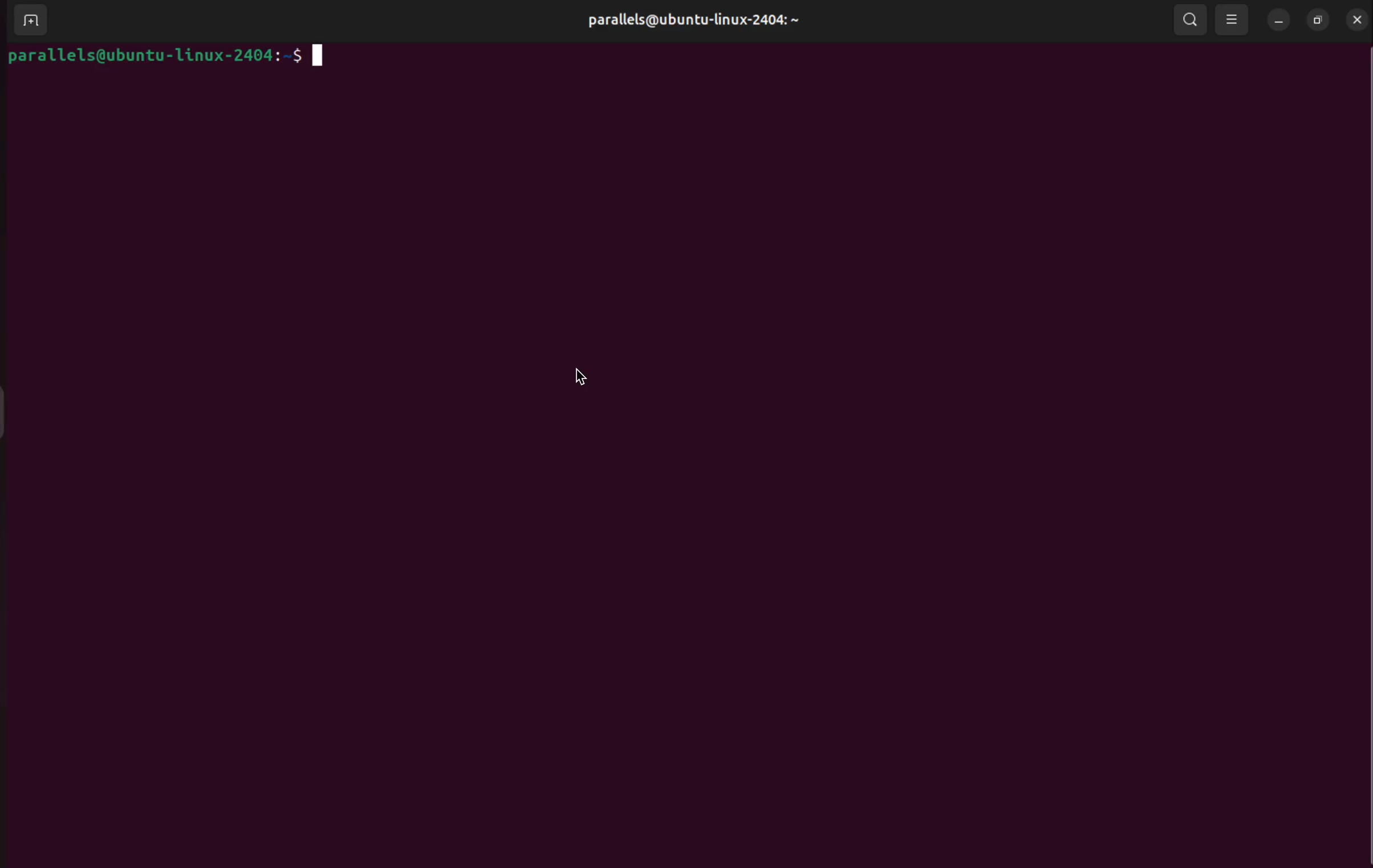 Image resolution: width=1373 pixels, height=868 pixels. I want to click on minimize, so click(1277, 20).